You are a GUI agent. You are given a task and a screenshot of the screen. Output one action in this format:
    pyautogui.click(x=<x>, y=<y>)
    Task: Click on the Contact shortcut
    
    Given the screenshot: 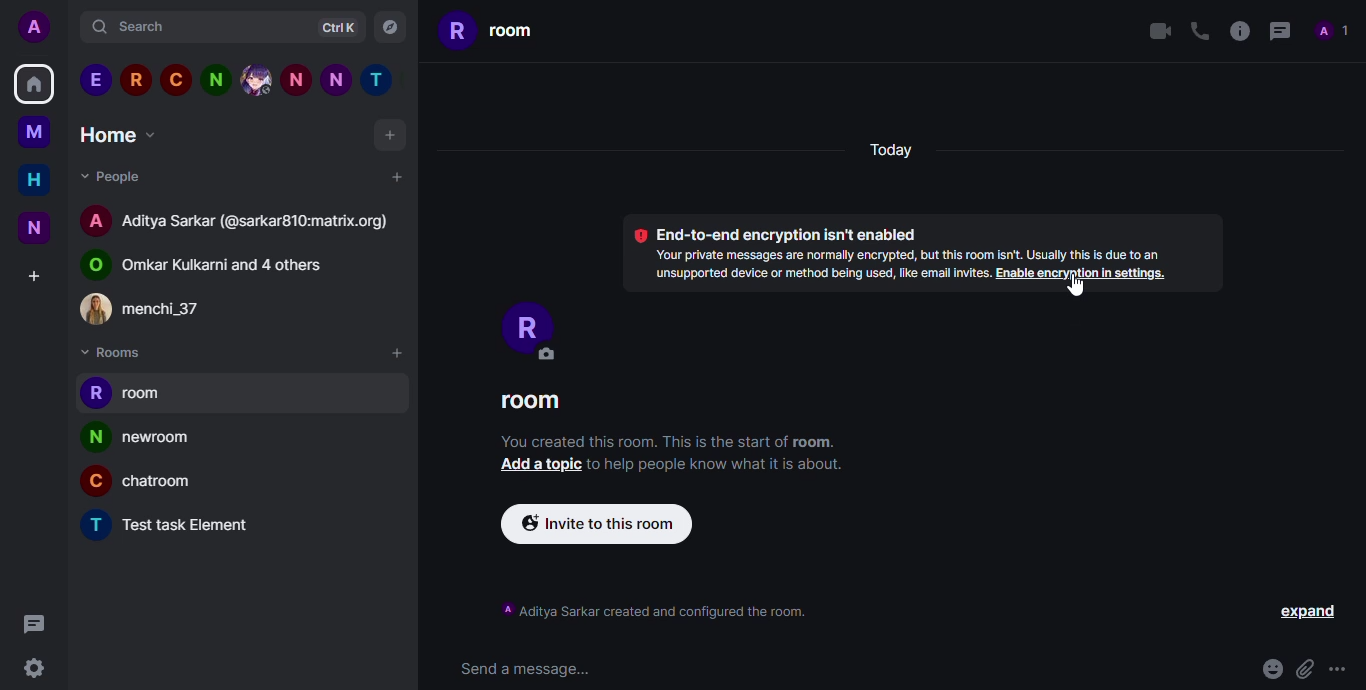 What is the action you would take?
    pyautogui.click(x=375, y=77)
    